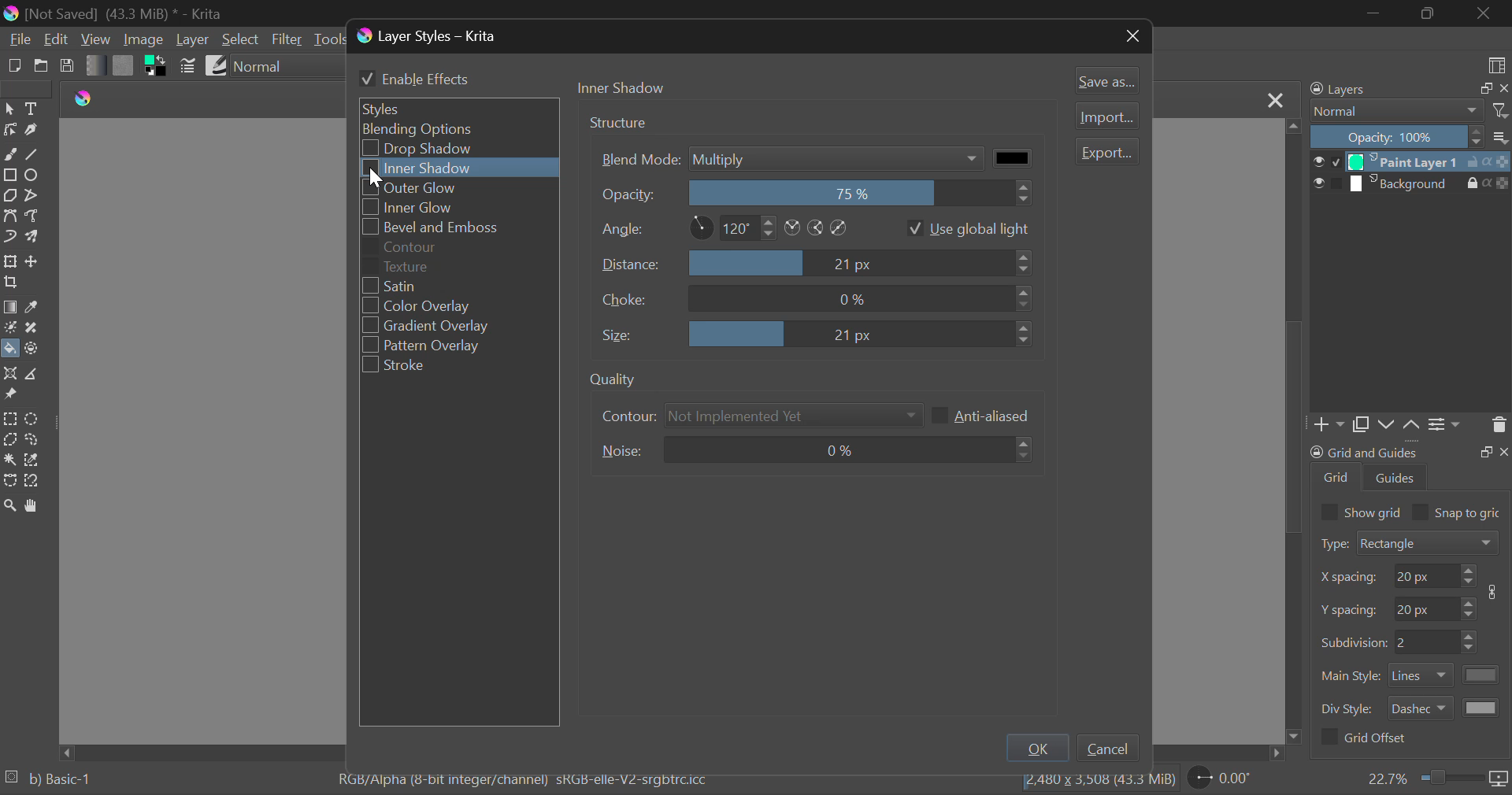 The height and width of the screenshot is (795, 1512). Describe the element at coordinates (141, 40) in the screenshot. I see `Image` at that location.